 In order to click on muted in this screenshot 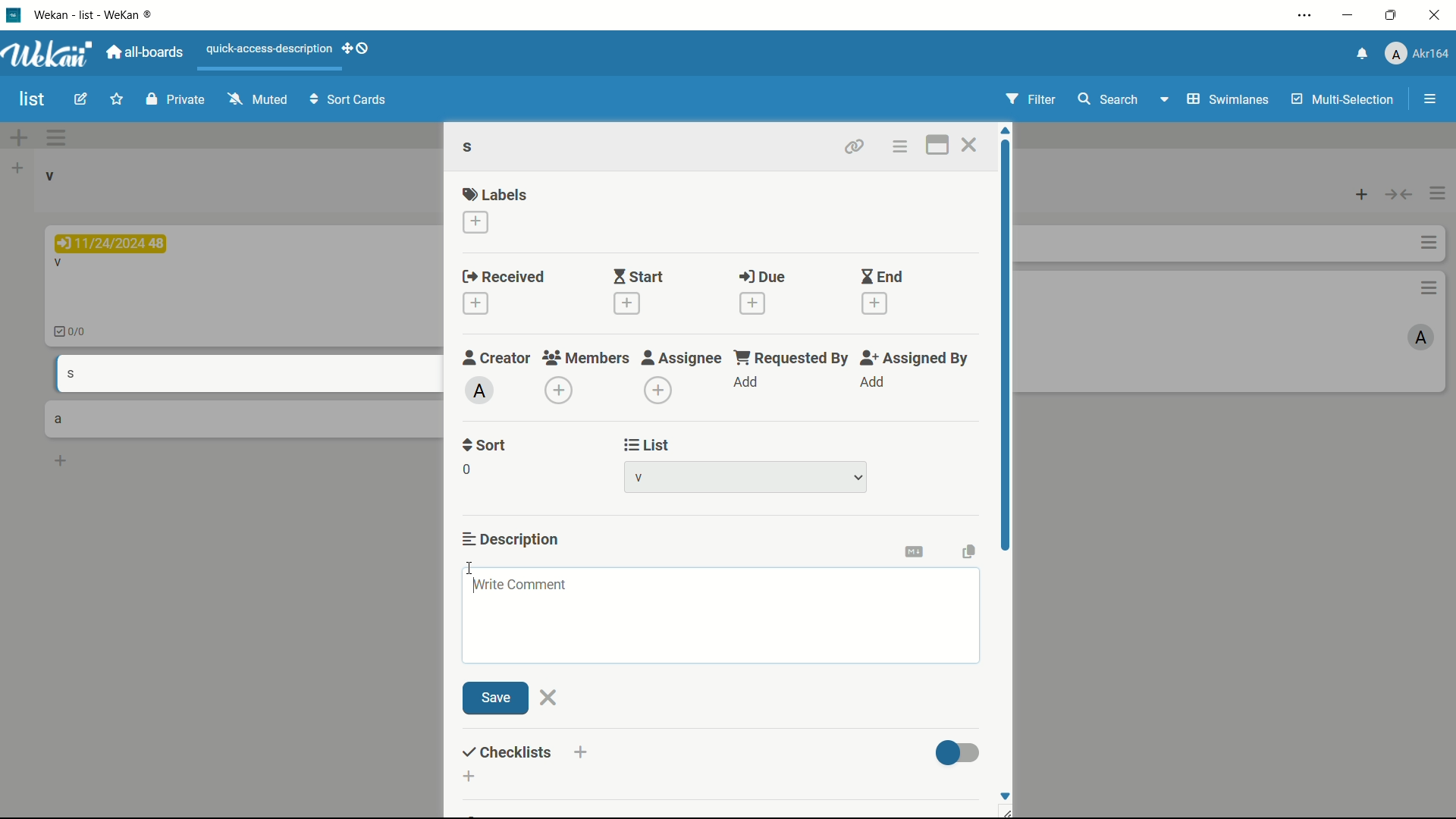, I will do `click(257, 99)`.